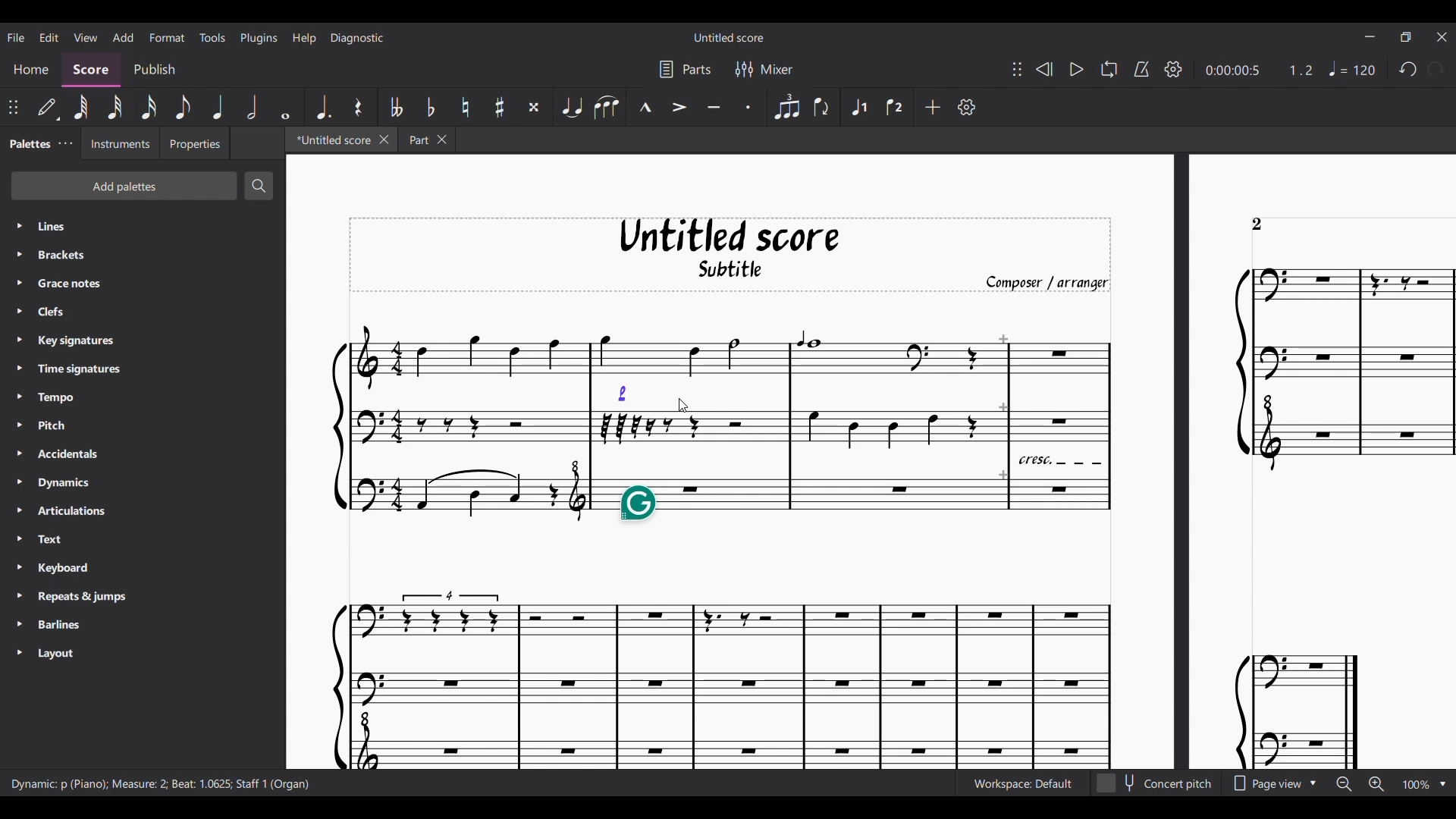 This screenshot has width=1456, height=819. Describe the element at coordinates (1022, 783) in the screenshot. I see `Current workspace setting` at that location.